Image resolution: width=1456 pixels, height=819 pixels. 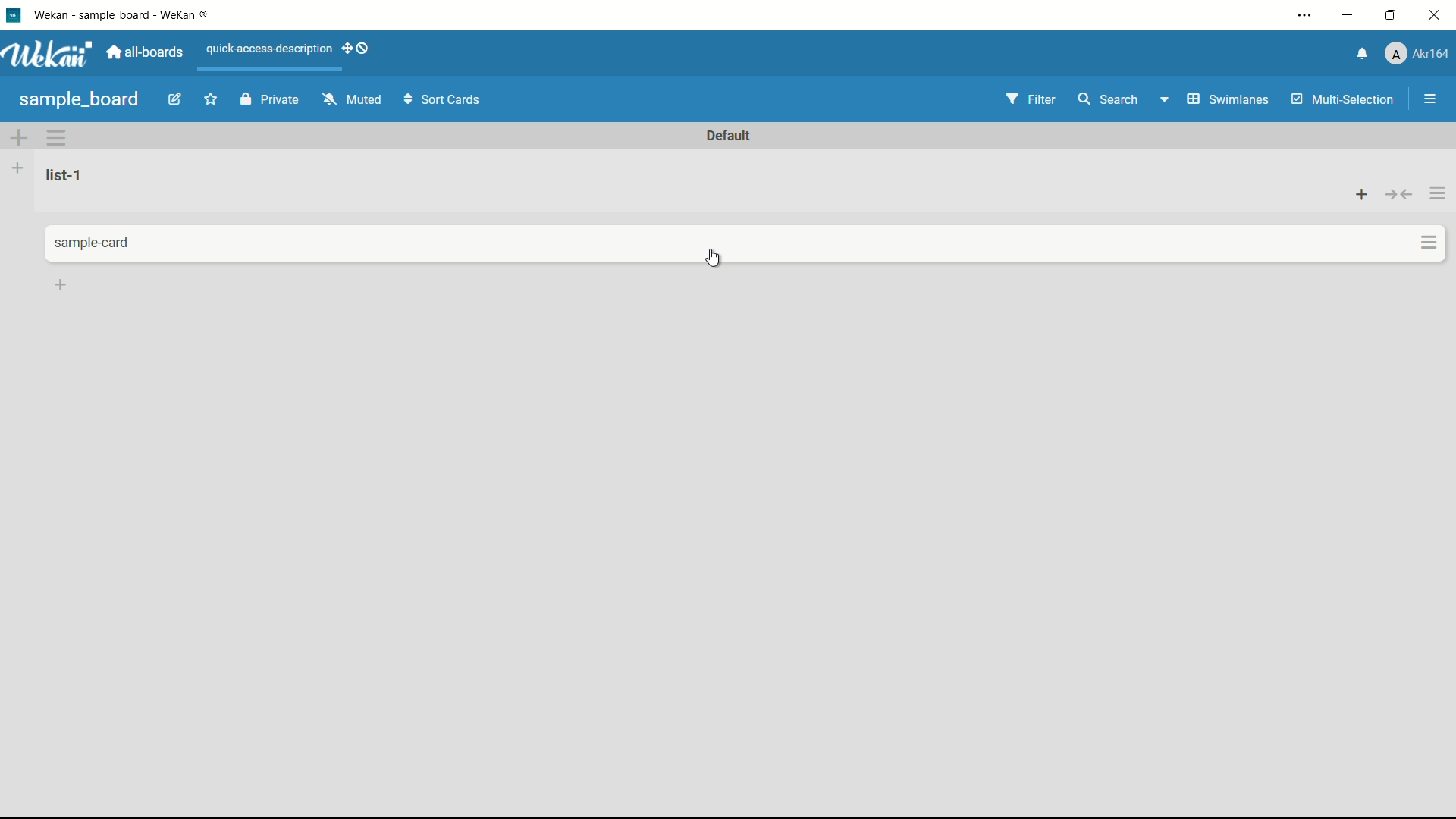 I want to click on add card, so click(x=1362, y=193).